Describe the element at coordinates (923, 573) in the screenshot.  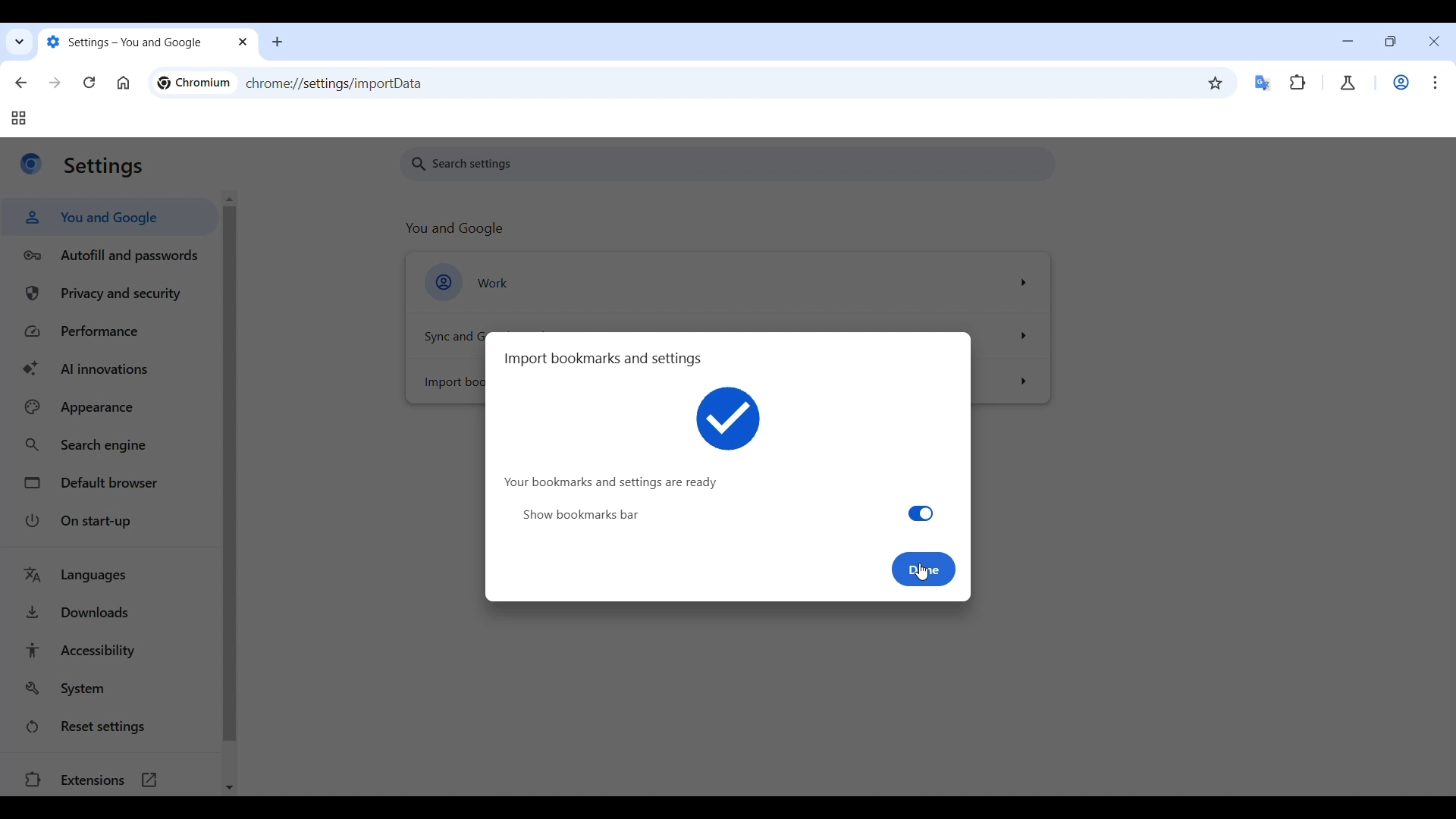
I see `Cursor clicking on Done` at that location.